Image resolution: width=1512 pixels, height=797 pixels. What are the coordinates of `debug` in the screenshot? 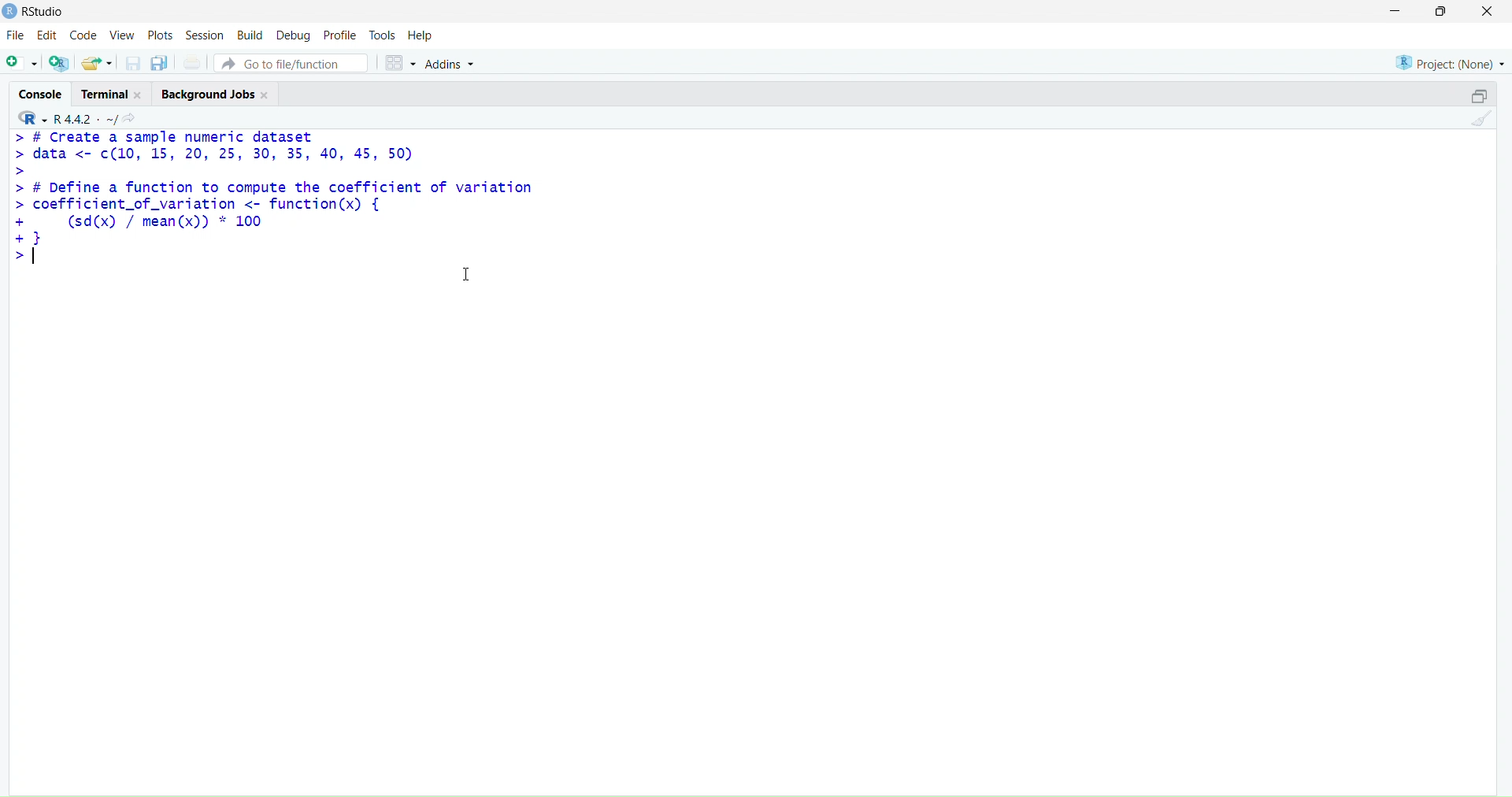 It's located at (293, 37).